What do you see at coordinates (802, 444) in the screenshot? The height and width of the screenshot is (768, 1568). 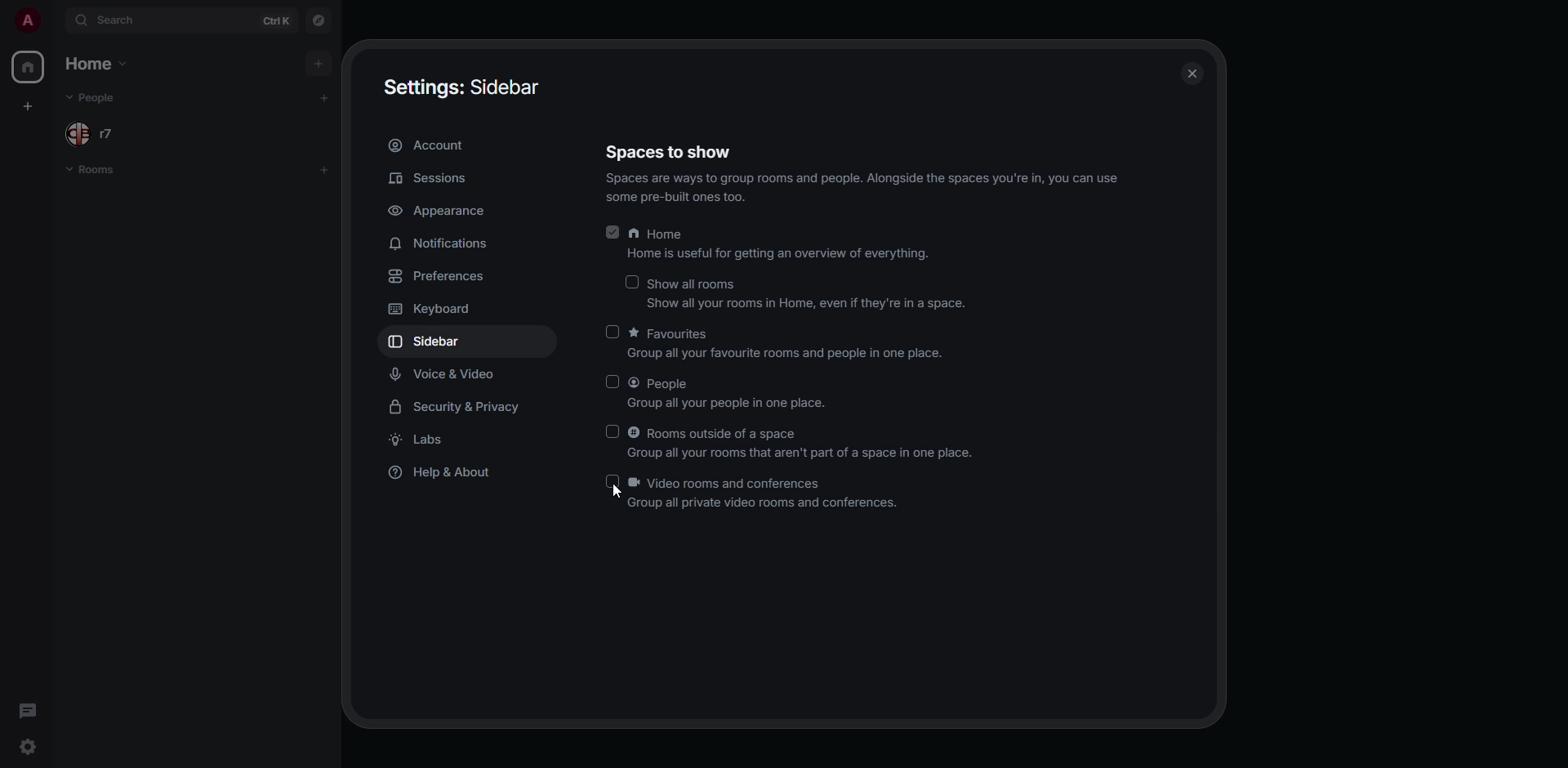 I see `rooms outside of a space` at bounding box center [802, 444].